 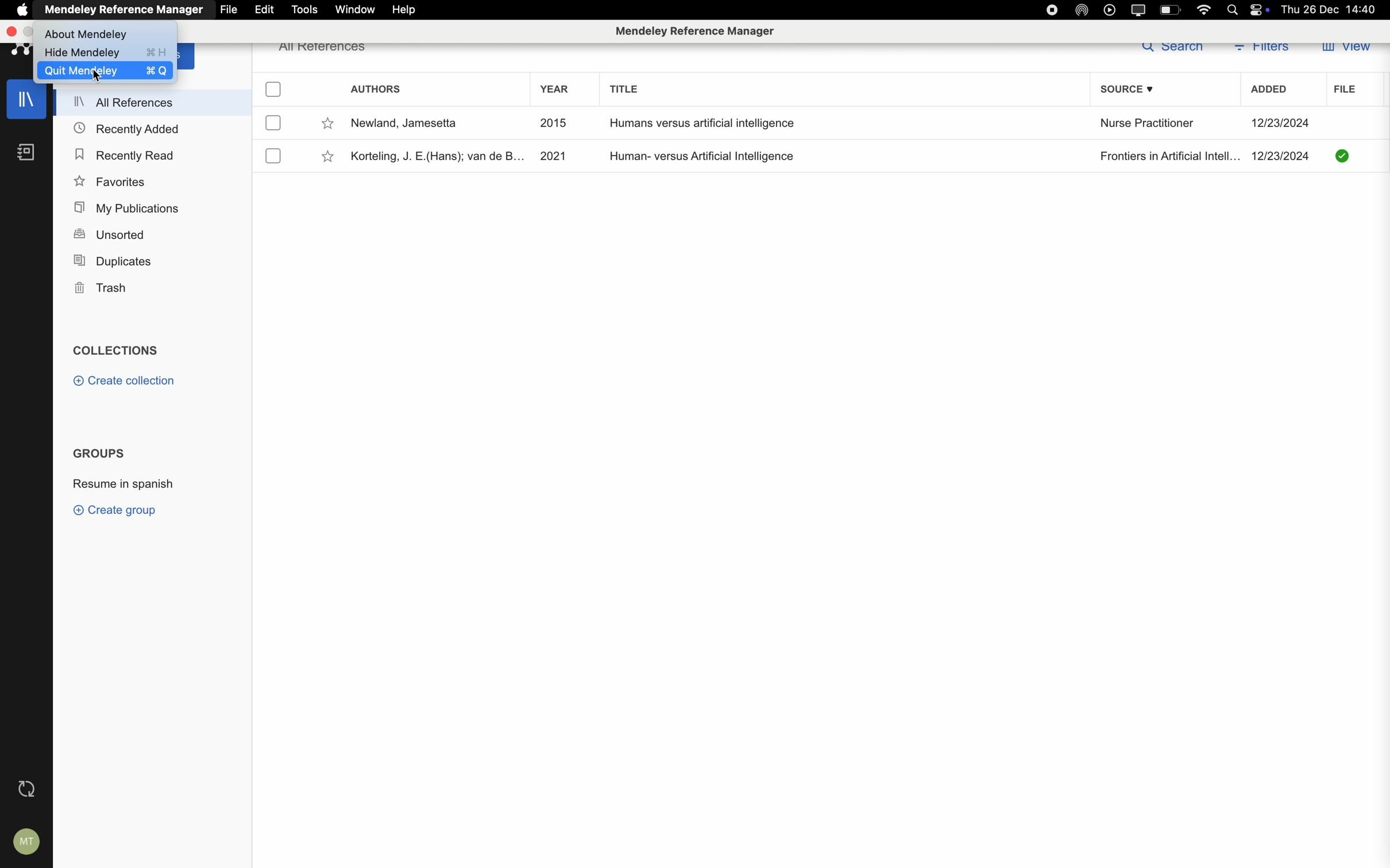 I want to click on create collection, so click(x=127, y=380).